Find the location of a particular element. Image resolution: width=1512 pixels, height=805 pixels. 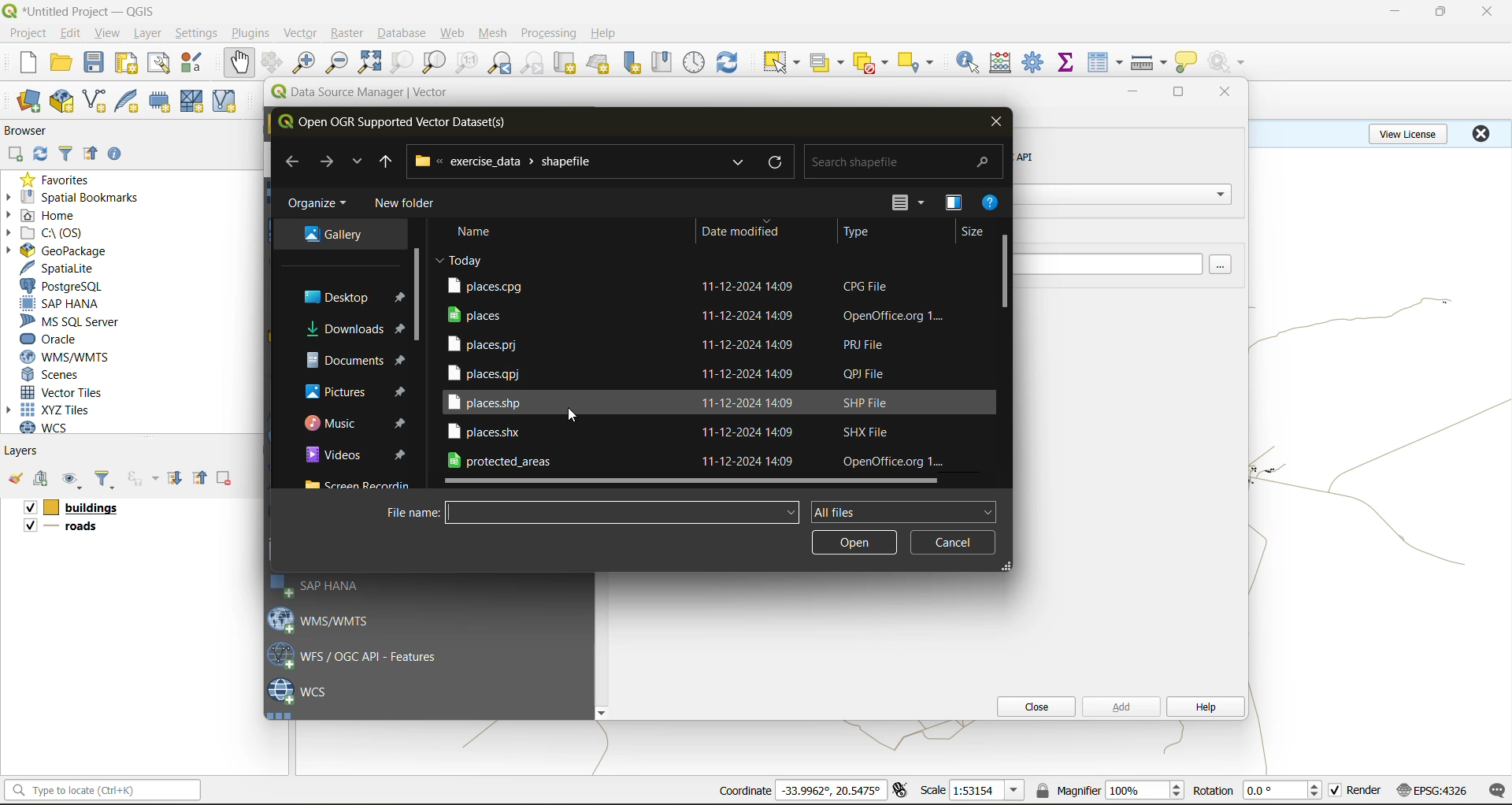

open is located at coordinates (15, 479).